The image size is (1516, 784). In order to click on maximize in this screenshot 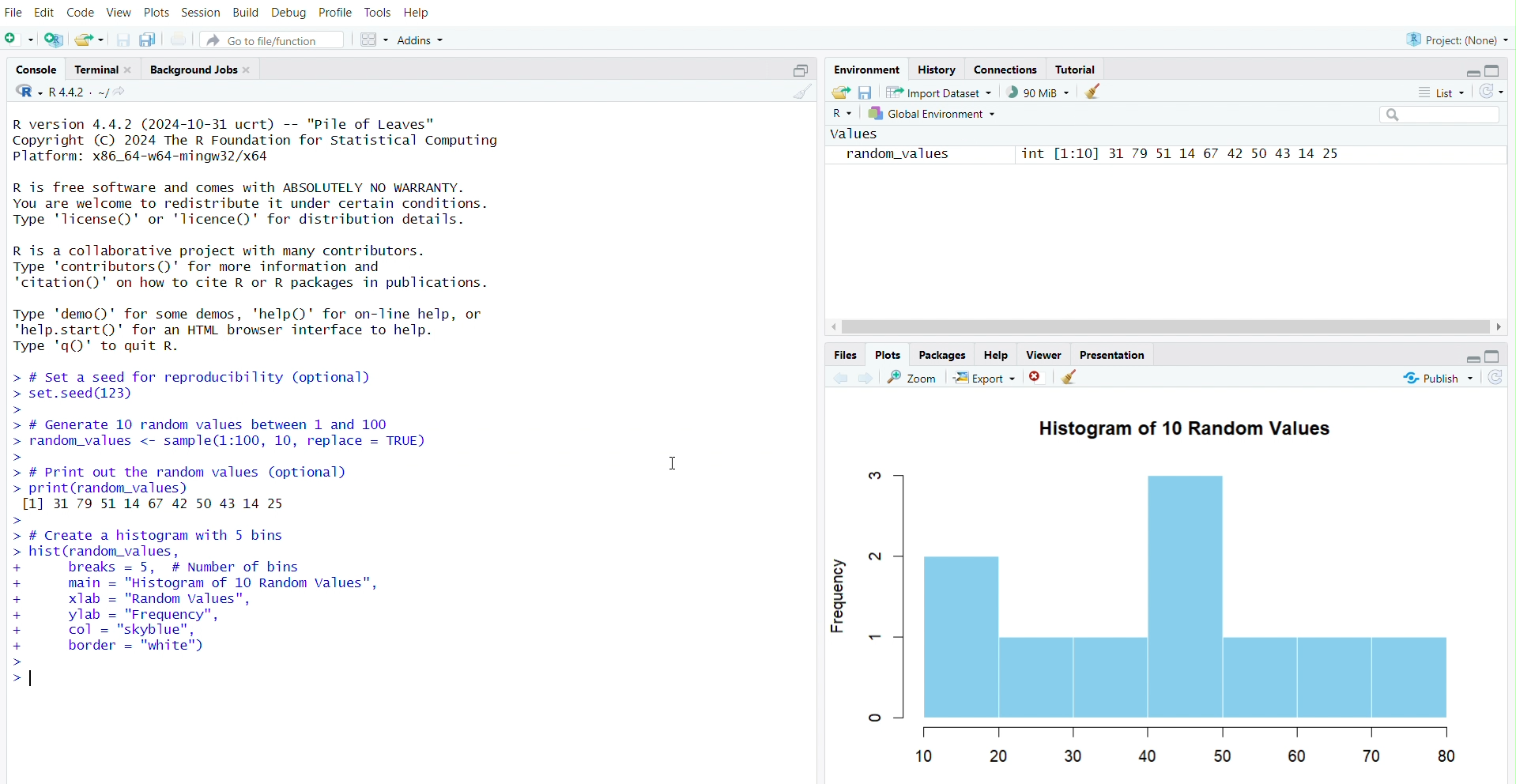, I will do `click(799, 67)`.